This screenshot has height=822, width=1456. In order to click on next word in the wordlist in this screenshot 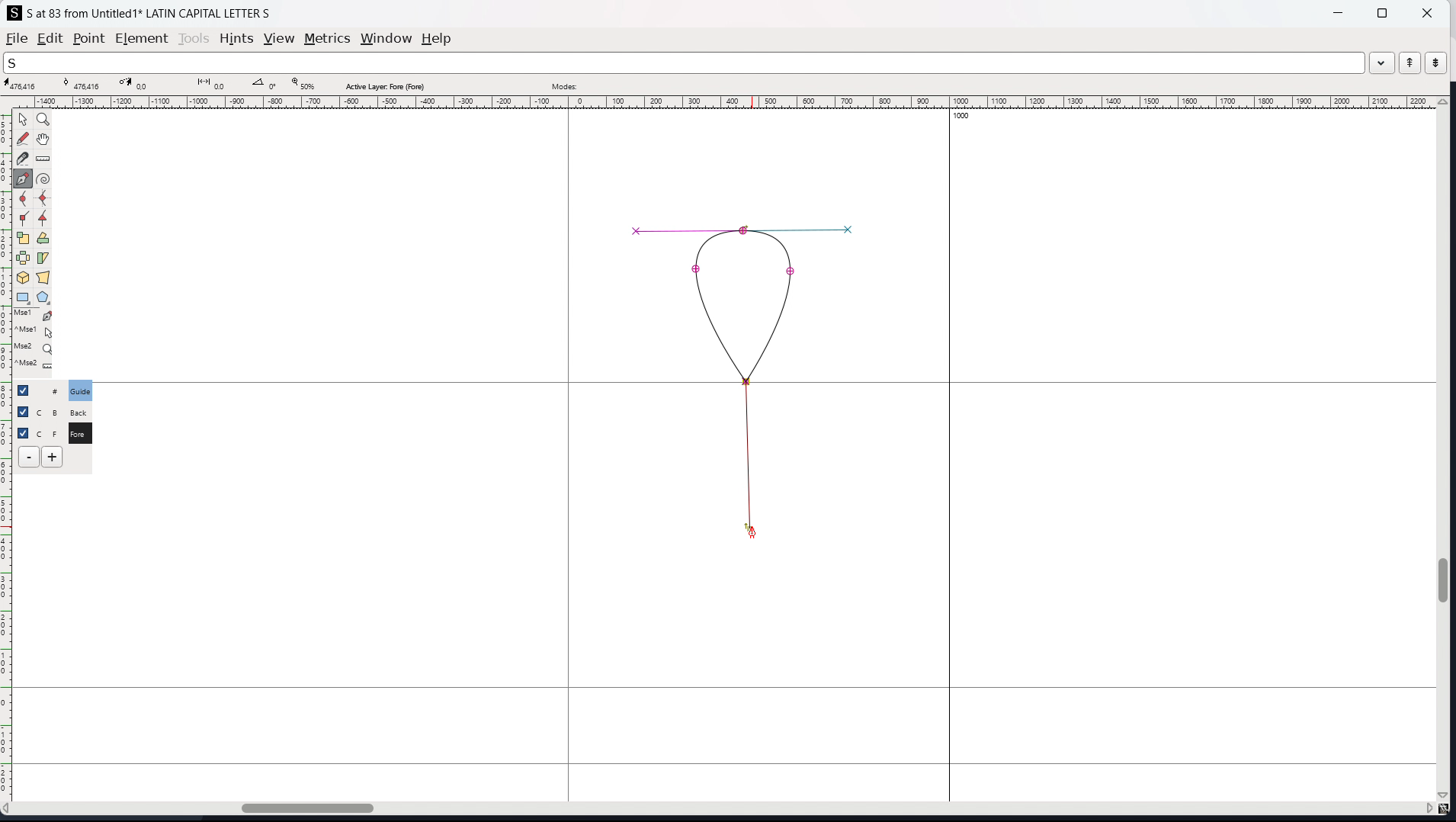, I will do `click(1435, 62)`.